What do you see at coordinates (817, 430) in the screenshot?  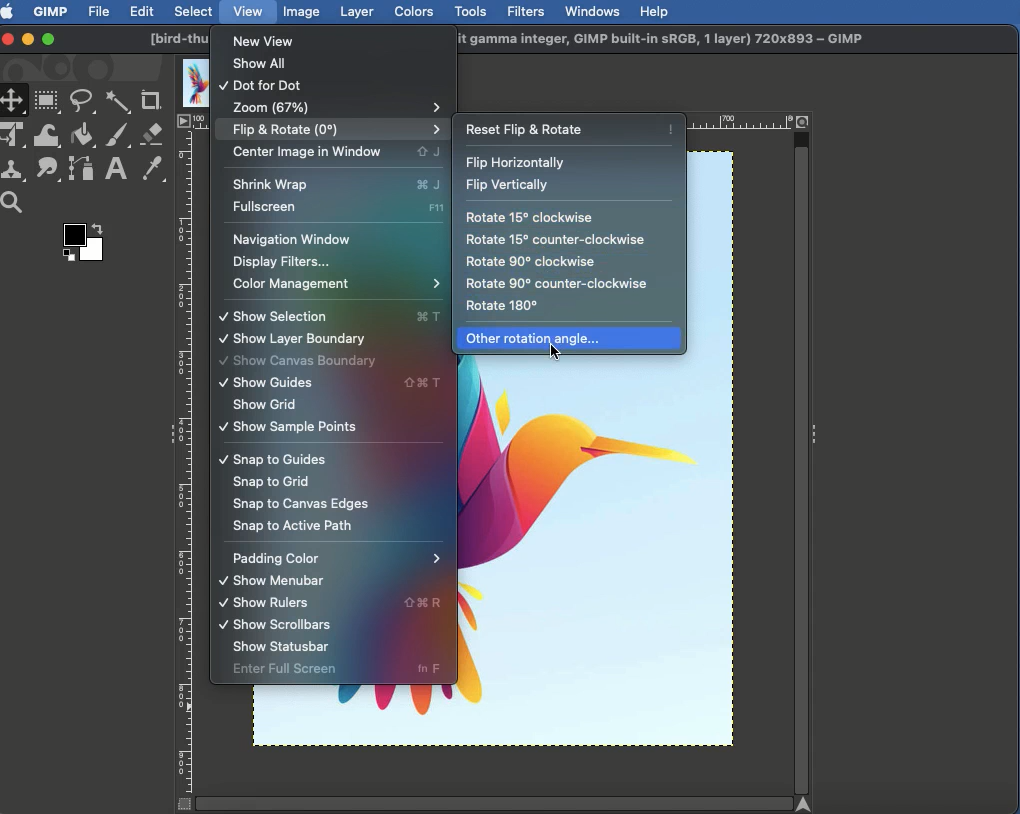 I see `Show sidebar menu` at bounding box center [817, 430].